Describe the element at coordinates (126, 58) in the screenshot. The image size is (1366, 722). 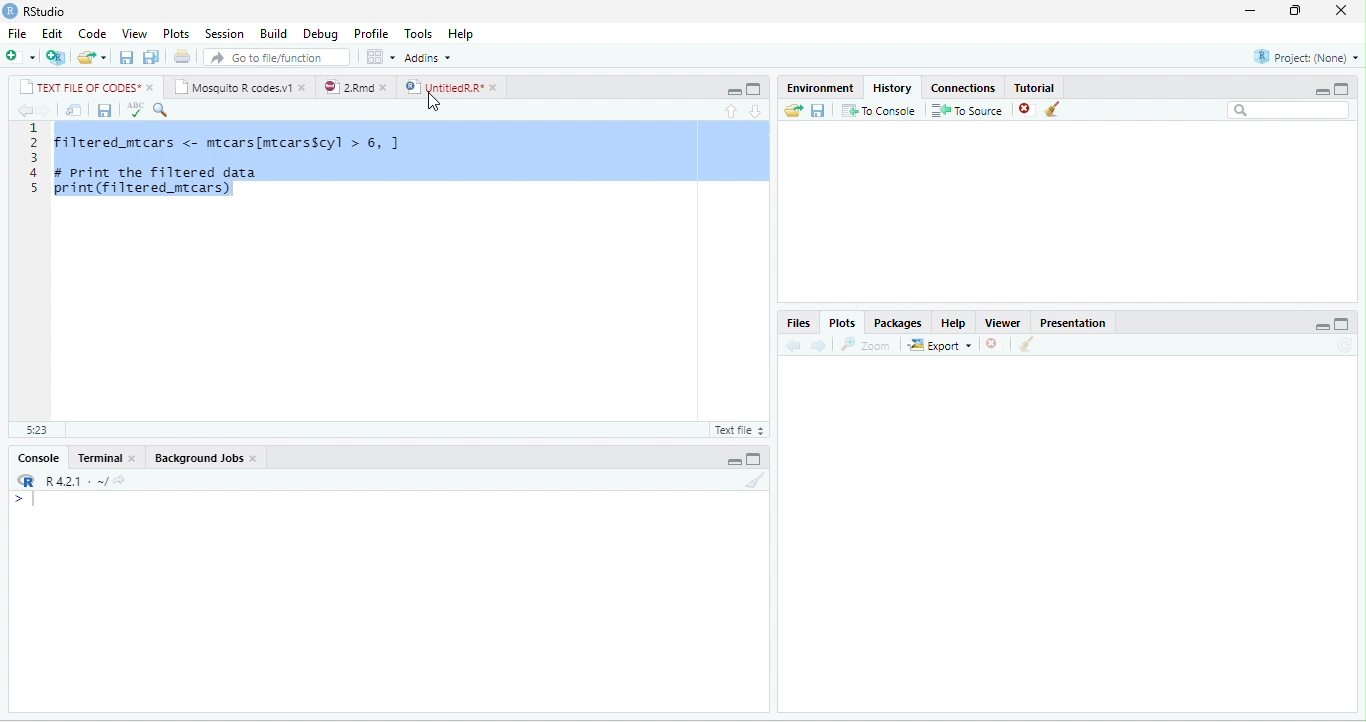
I see `save` at that location.